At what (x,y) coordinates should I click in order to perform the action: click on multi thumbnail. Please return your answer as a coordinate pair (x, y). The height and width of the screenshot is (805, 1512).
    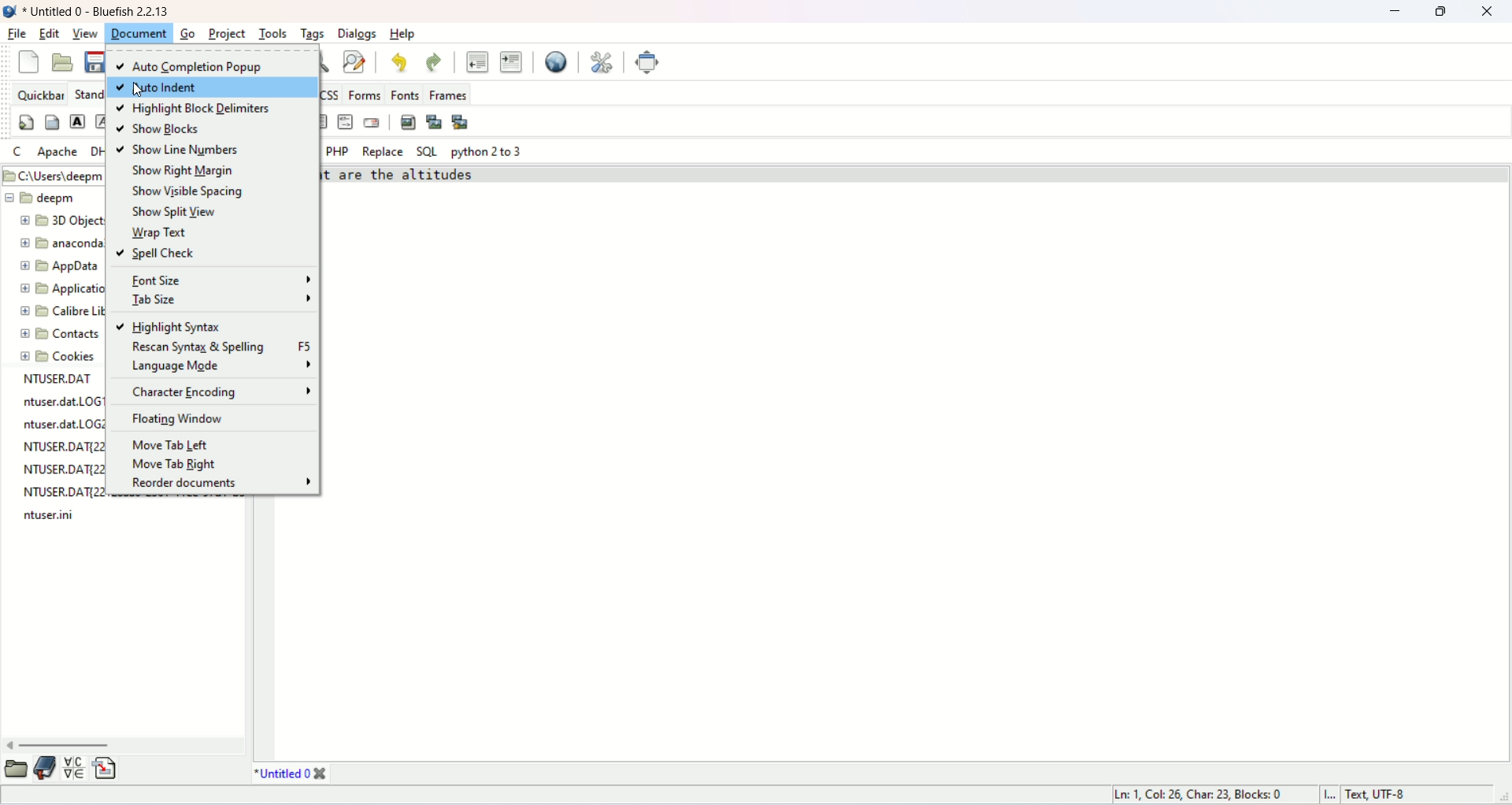
    Looking at the image, I should click on (463, 121).